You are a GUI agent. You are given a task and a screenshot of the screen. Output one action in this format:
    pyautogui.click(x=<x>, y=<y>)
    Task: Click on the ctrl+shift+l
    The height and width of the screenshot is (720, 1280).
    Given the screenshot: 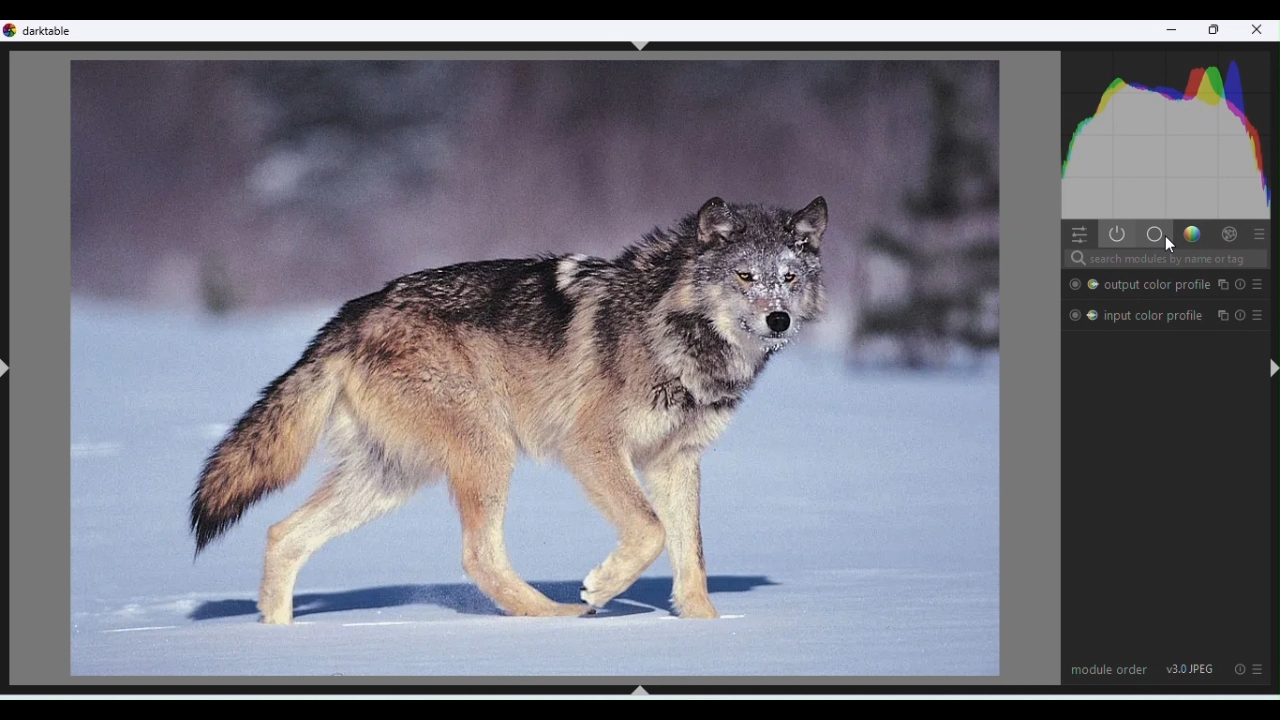 What is the action you would take?
    pyautogui.click(x=8, y=369)
    